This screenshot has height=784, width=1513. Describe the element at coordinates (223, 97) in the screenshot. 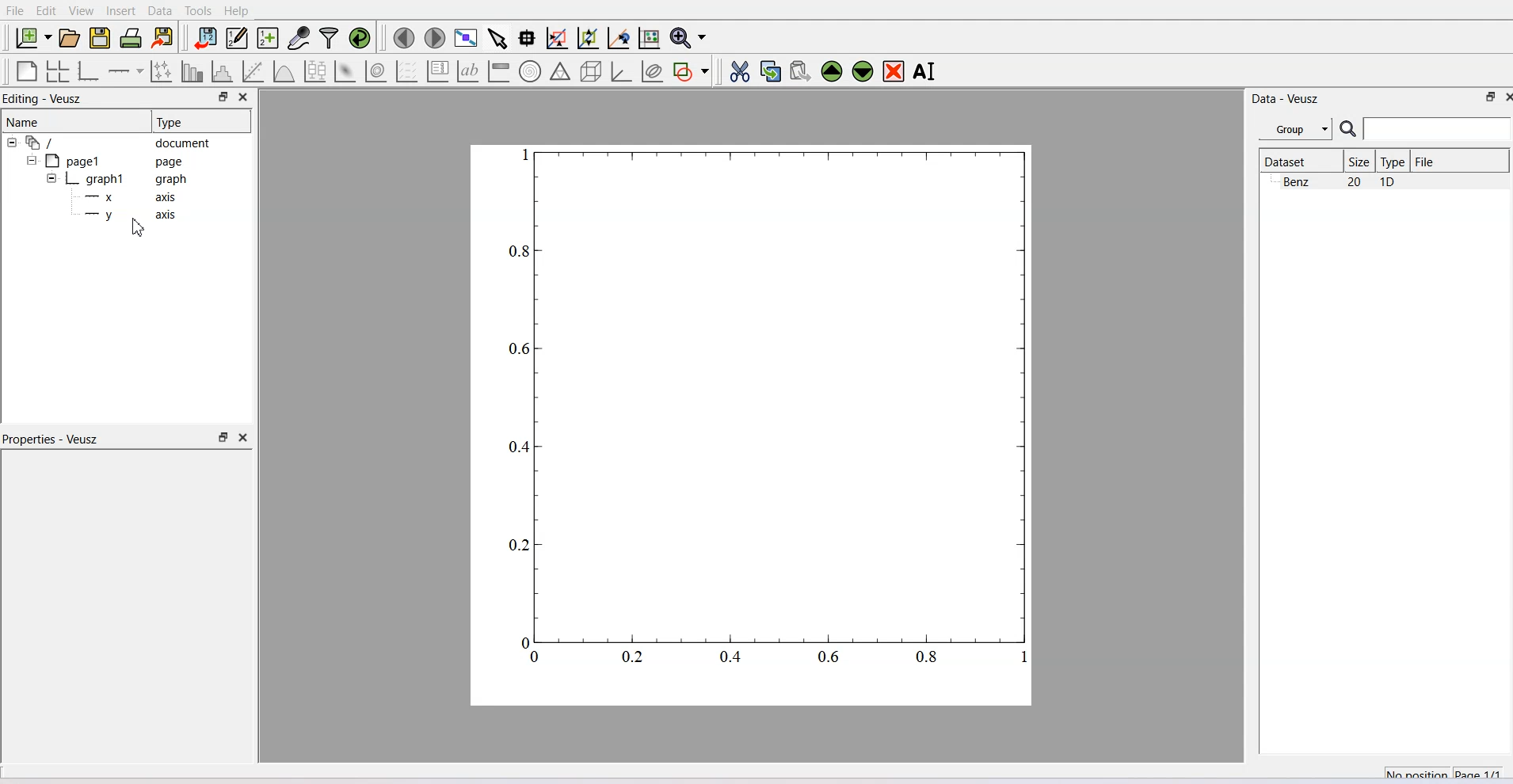

I see `Maximize` at that location.